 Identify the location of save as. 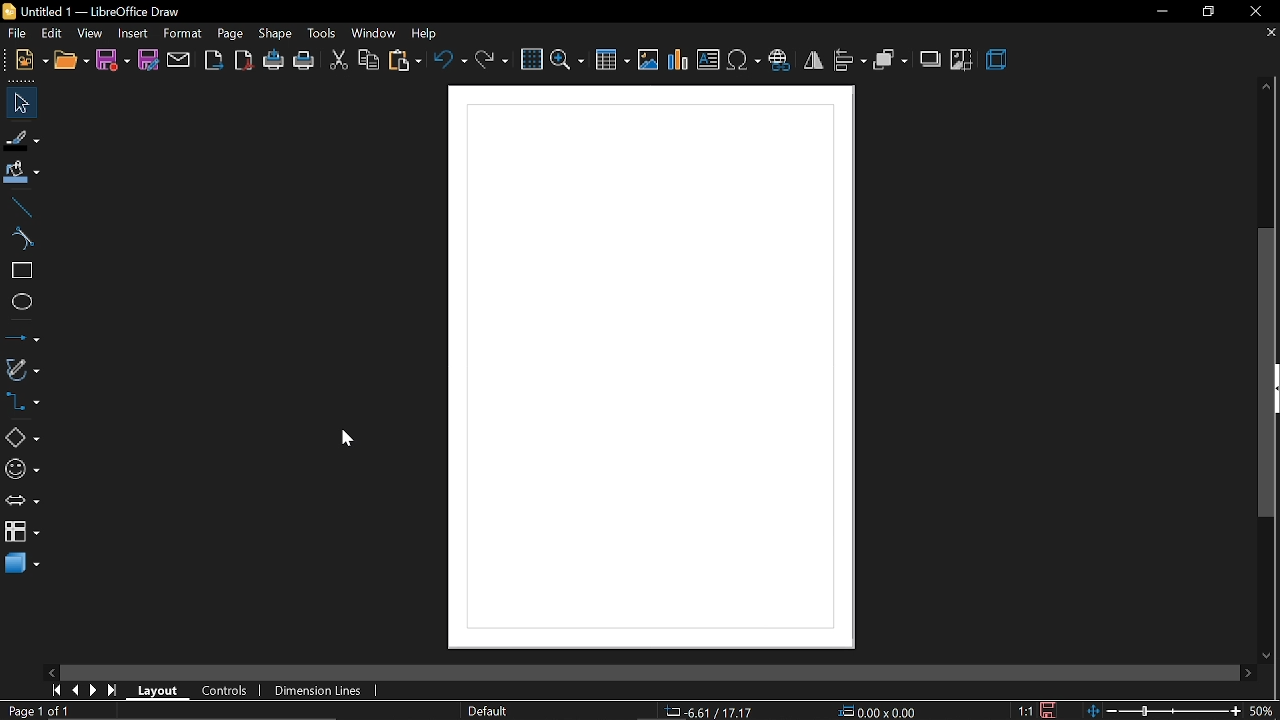
(150, 59).